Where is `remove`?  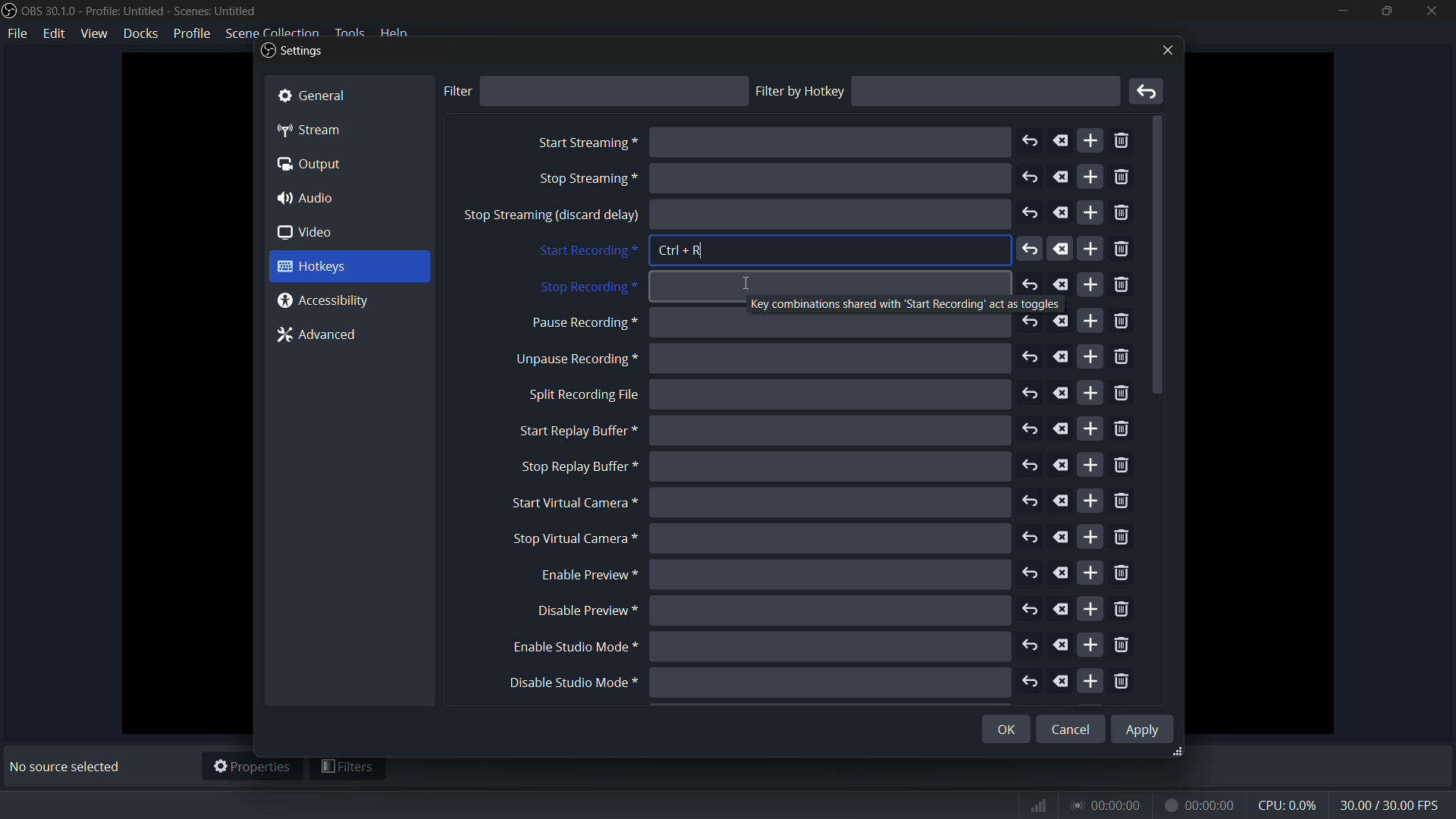 remove is located at coordinates (1123, 179).